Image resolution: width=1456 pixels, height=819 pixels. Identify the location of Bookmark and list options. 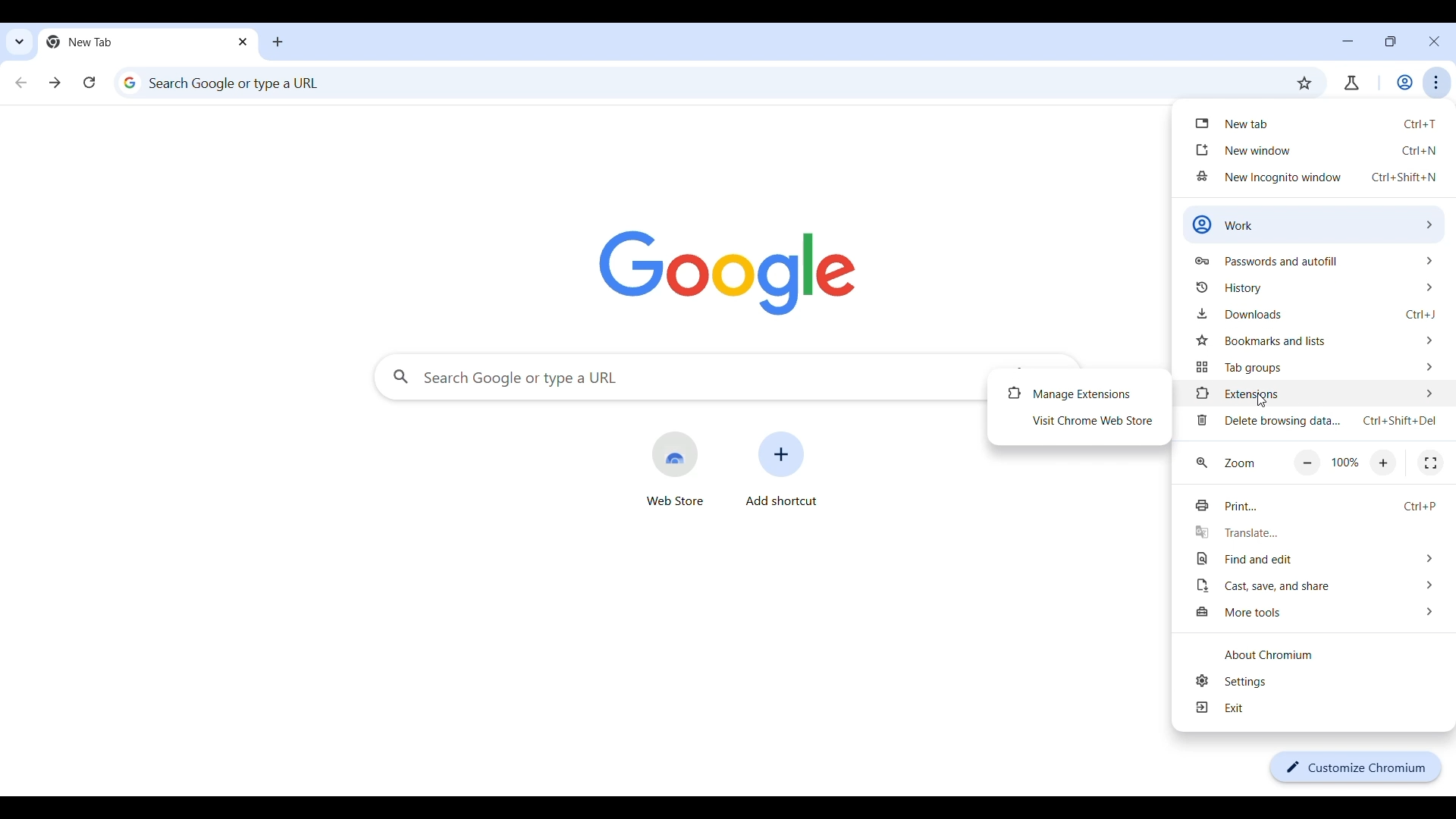
(1316, 340).